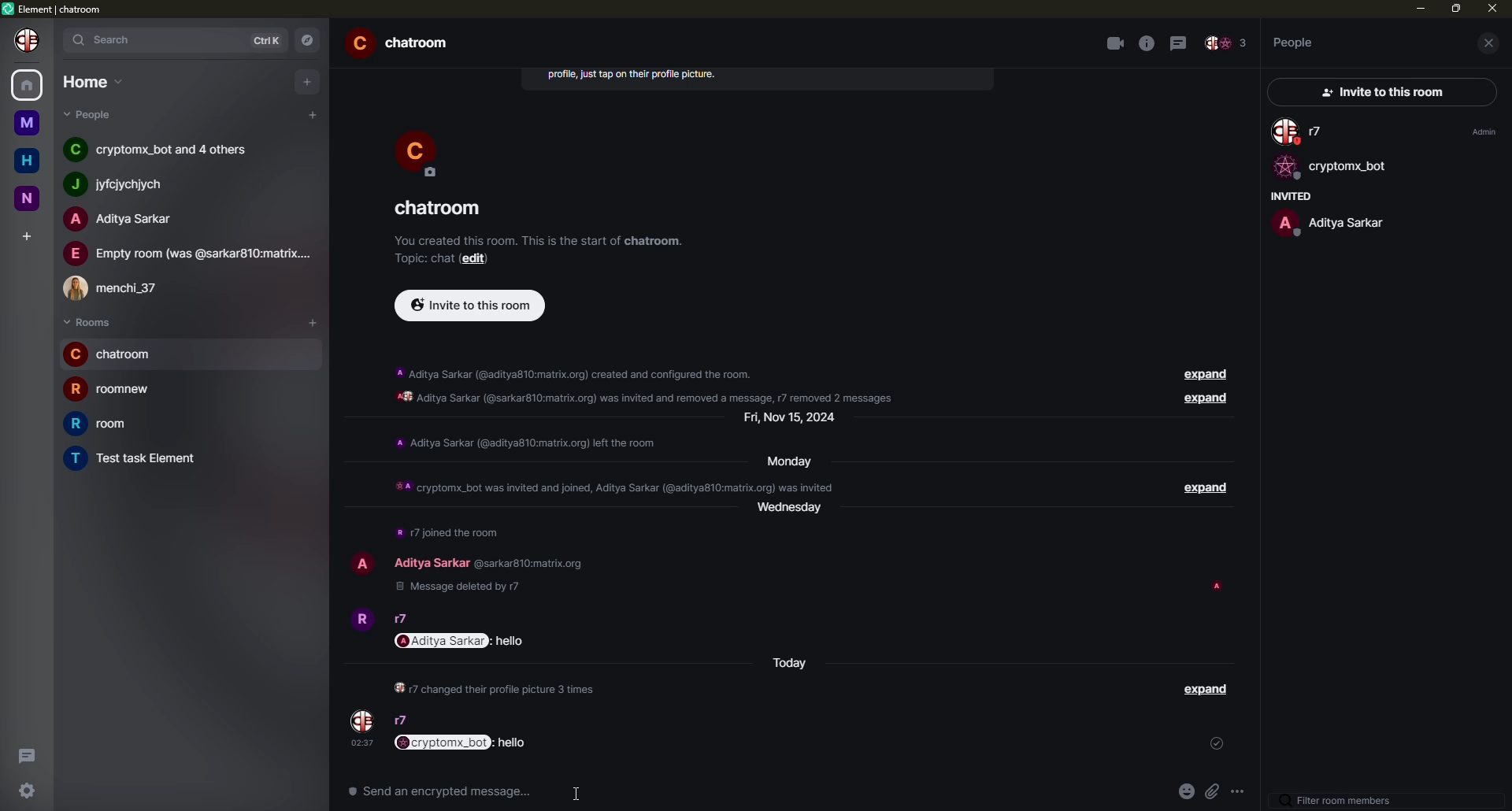 The height and width of the screenshot is (811, 1512). What do you see at coordinates (1147, 43) in the screenshot?
I see `info` at bounding box center [1147, 43].